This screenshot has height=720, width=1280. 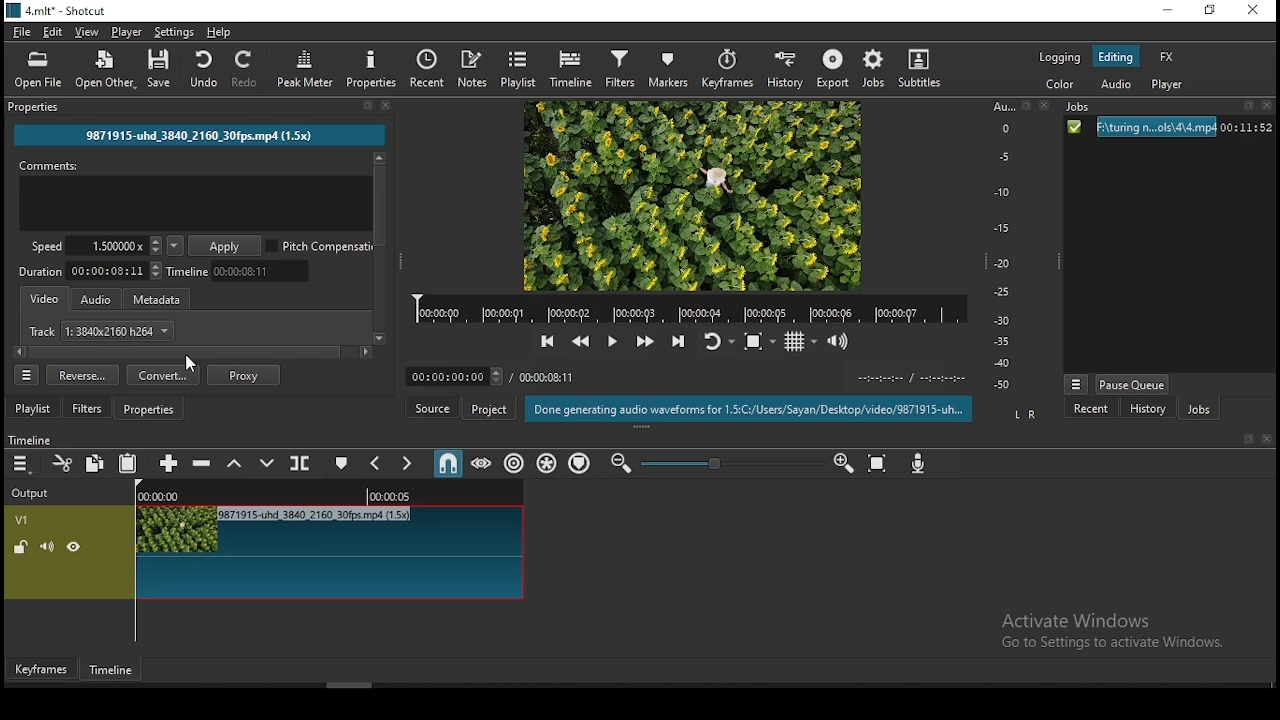 I want to click on pause queue, so click(x=1134, y=384).